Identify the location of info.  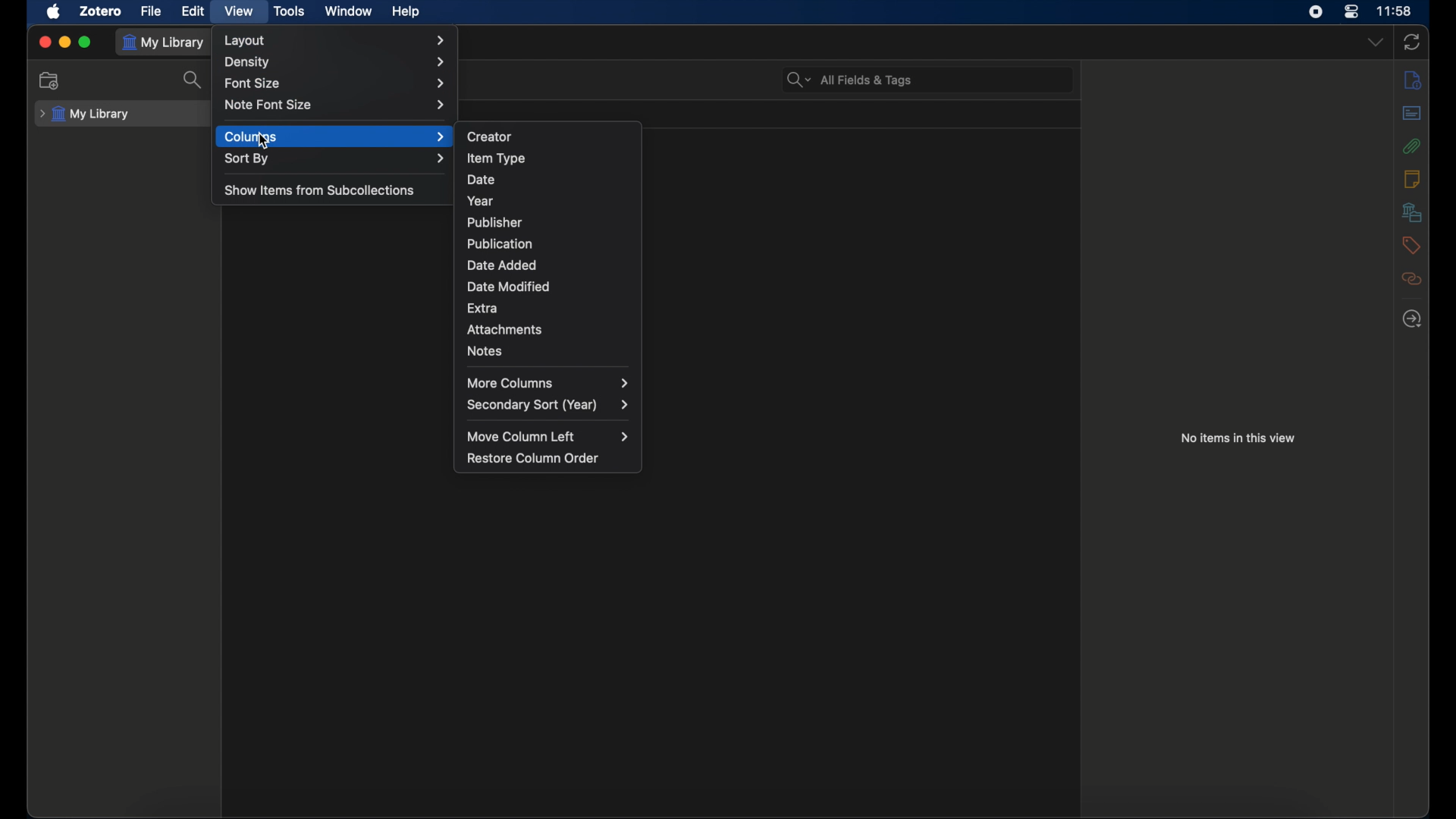
(1412, 80).